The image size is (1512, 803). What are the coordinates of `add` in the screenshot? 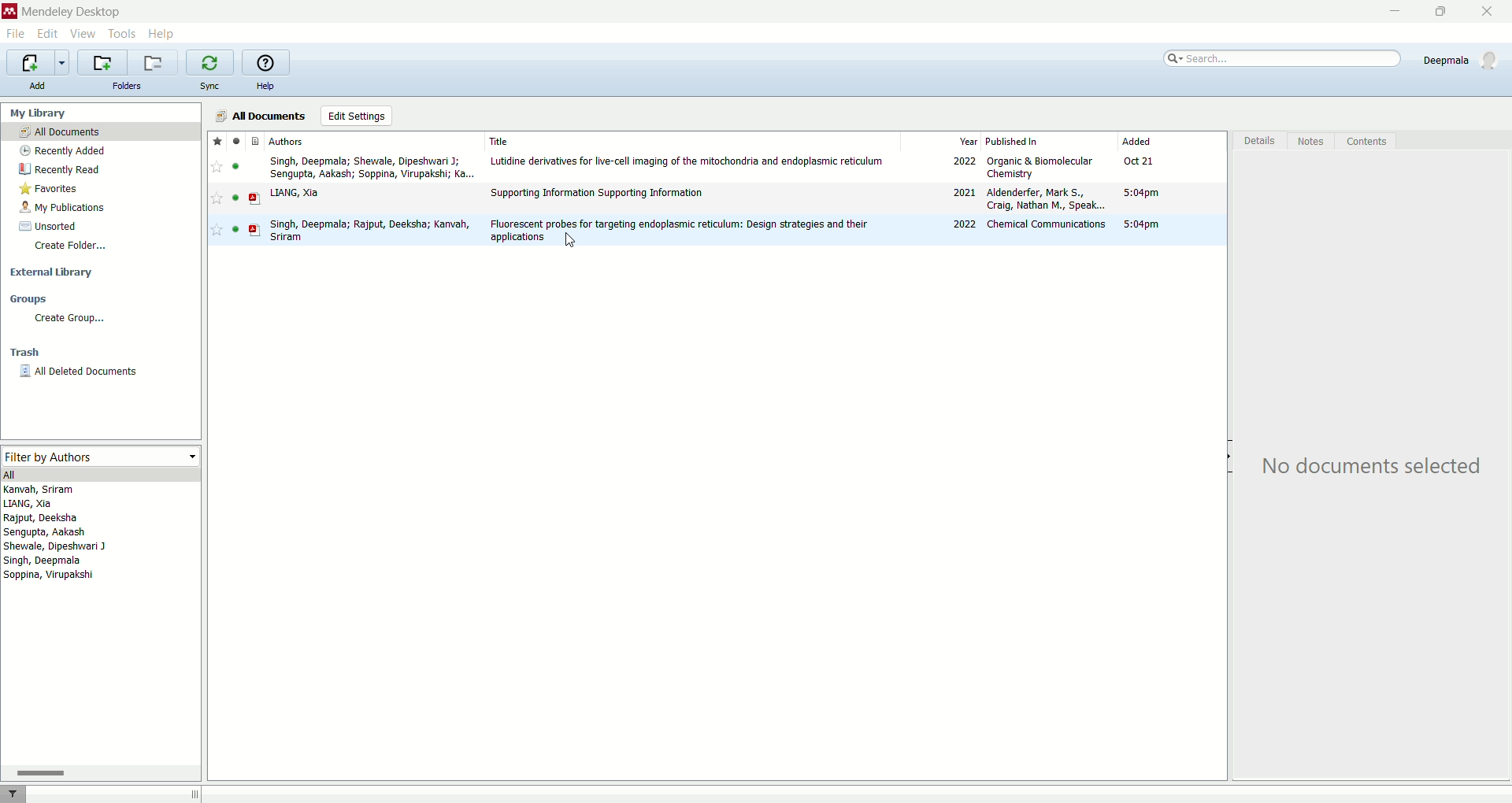 It's located at (38, 84).